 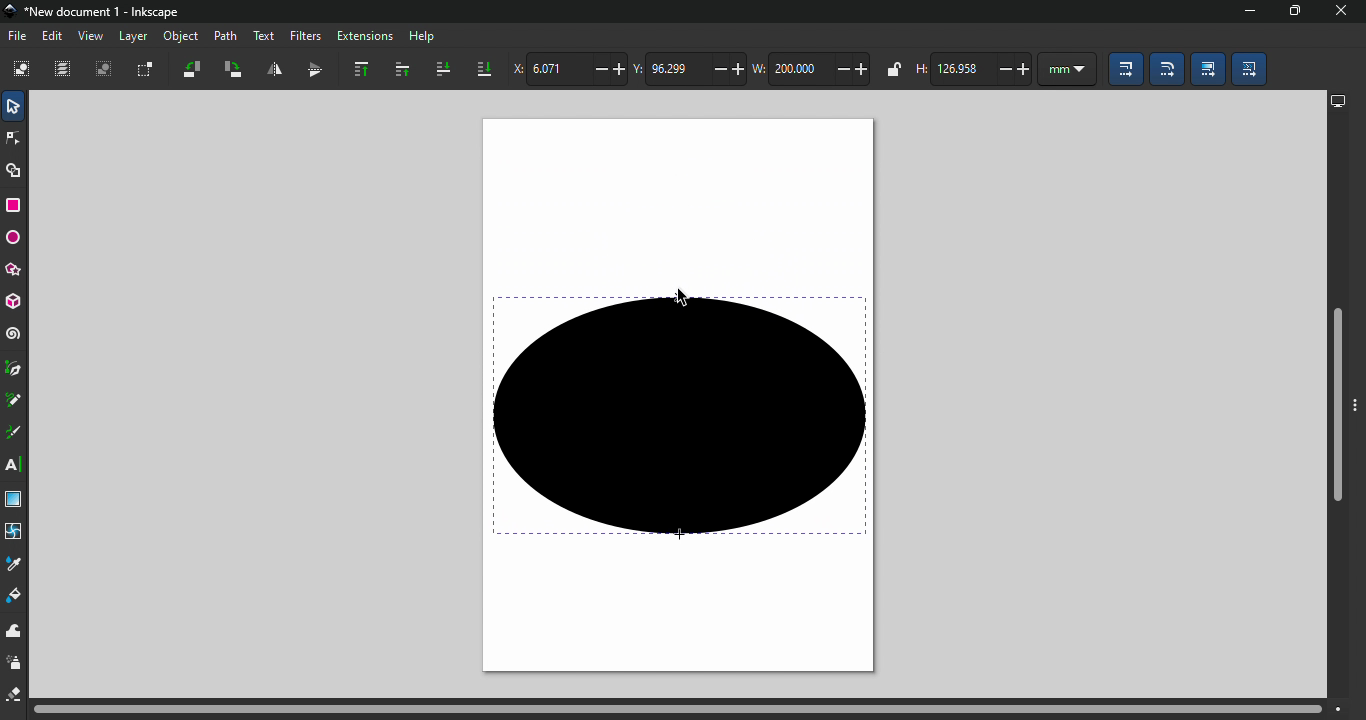 What do you see at coordinates (1248, 69) in the screenshot?
I see `Move patterns (in fill or stoke) along with the objects` at bounding box center [1248, 69].